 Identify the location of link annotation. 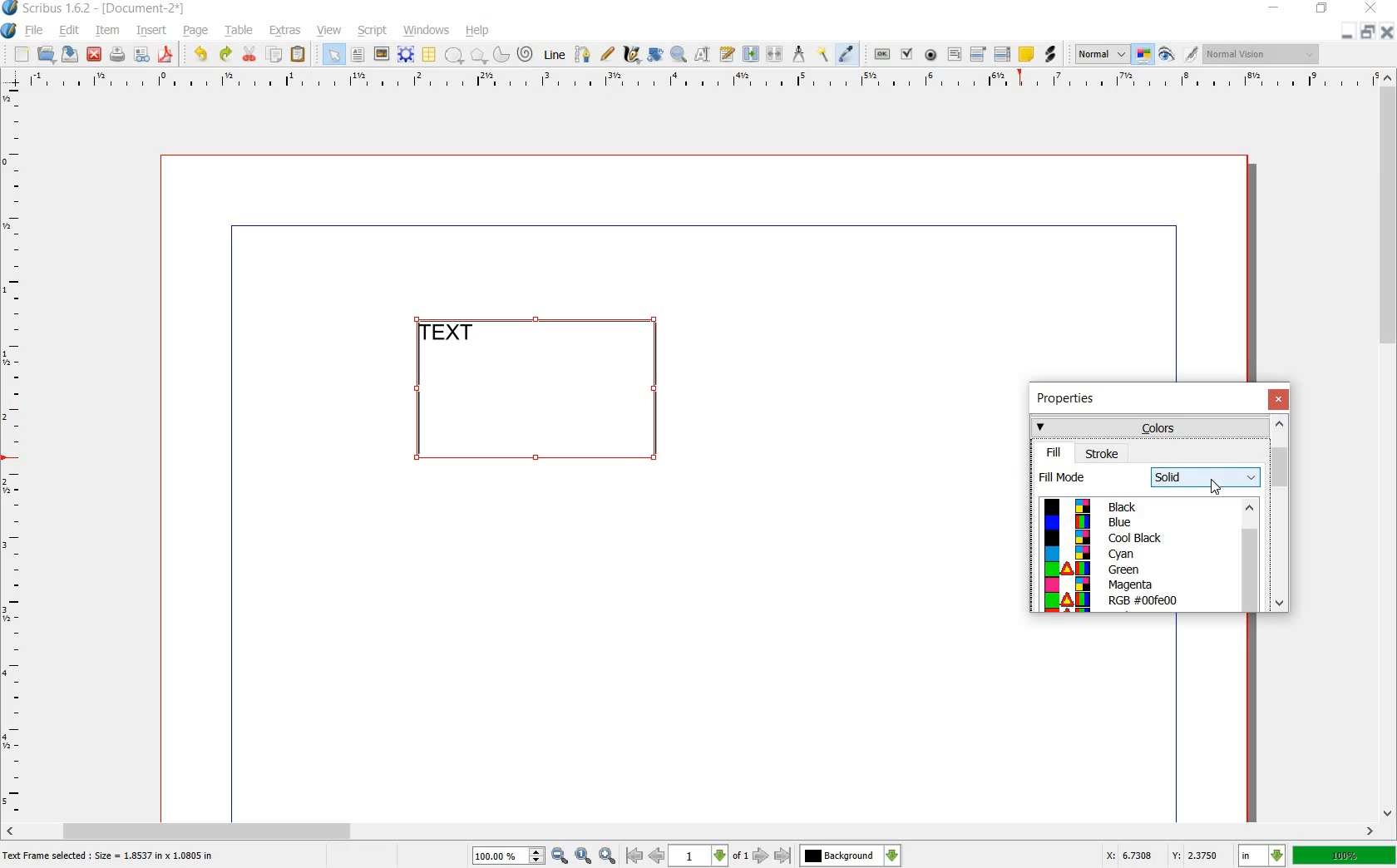
(1049, 55).